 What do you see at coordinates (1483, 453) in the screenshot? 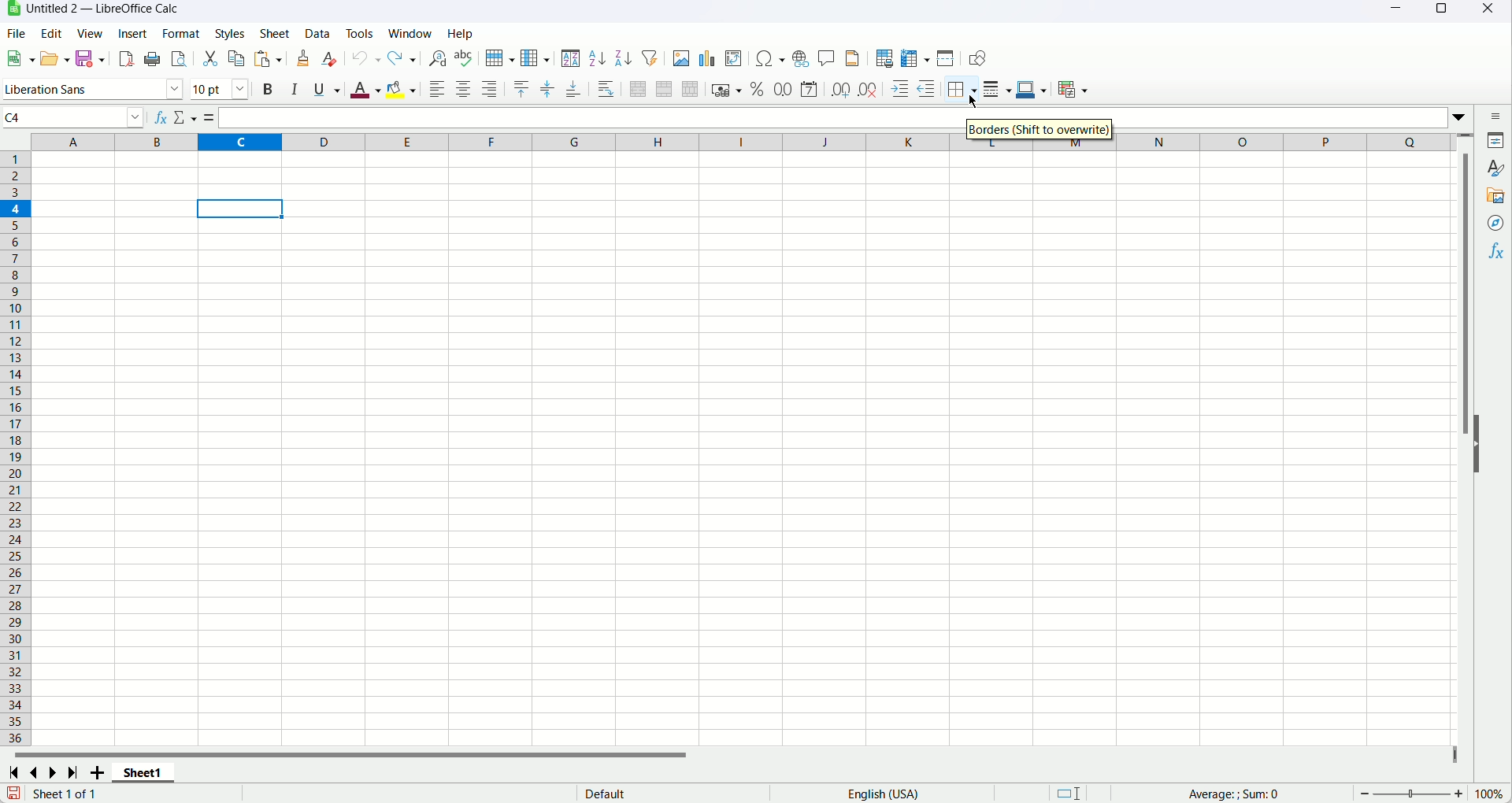
I see `Hide` at bounding box center [1483, 453].